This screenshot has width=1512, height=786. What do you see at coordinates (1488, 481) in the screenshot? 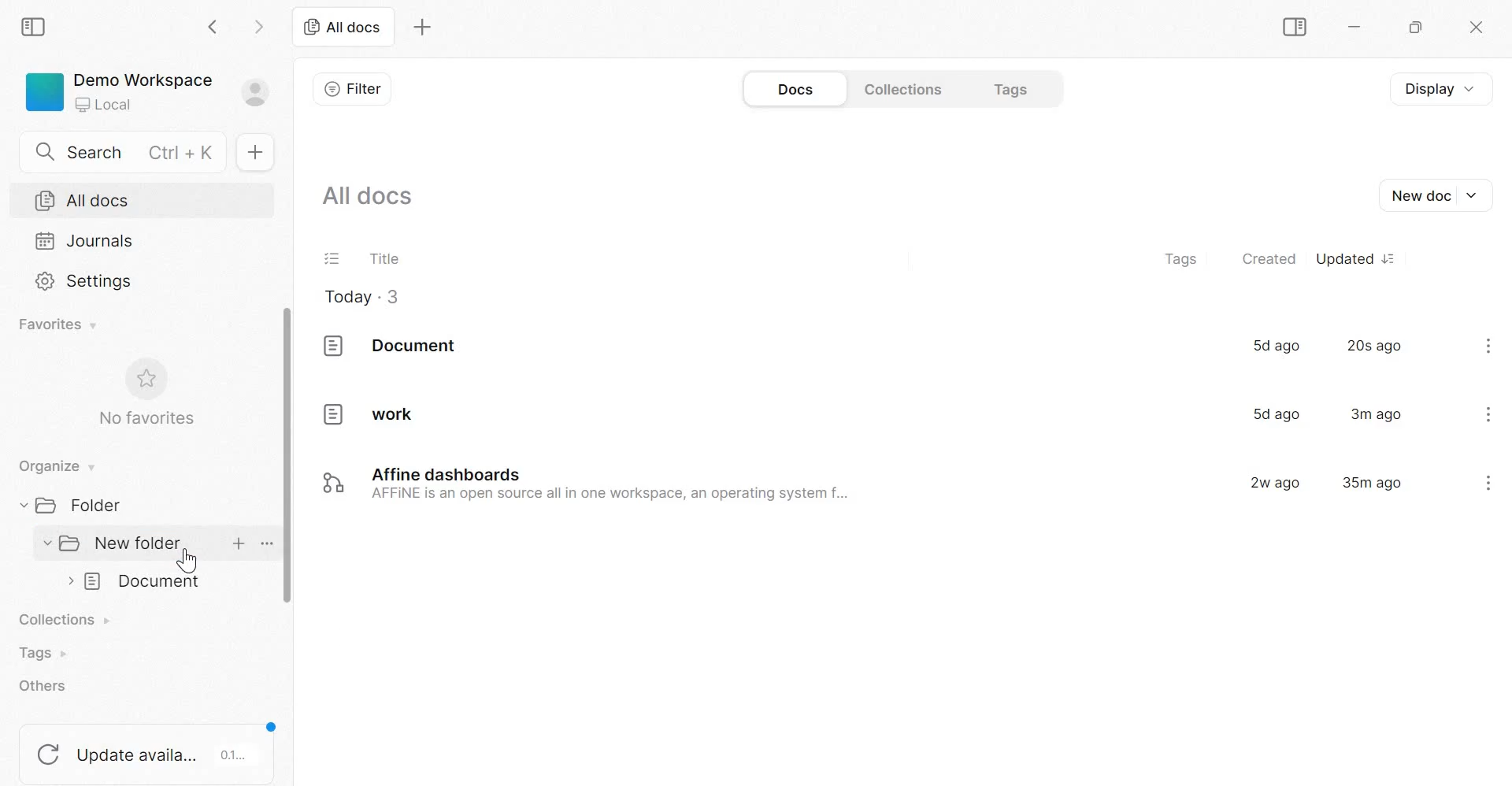
I see `kebab menu` at bounding box center [1488, 481].